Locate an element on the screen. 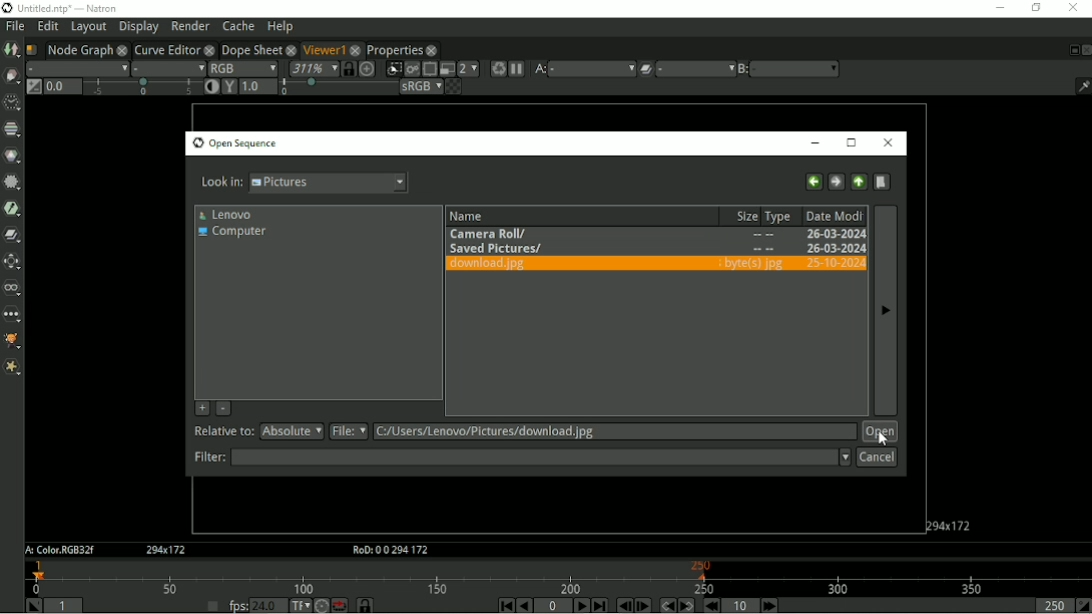 The width and height of the screenshot is (1092, 614). Enable region of interest that limit the portion of the viewer is located at coordinates (429, 69).